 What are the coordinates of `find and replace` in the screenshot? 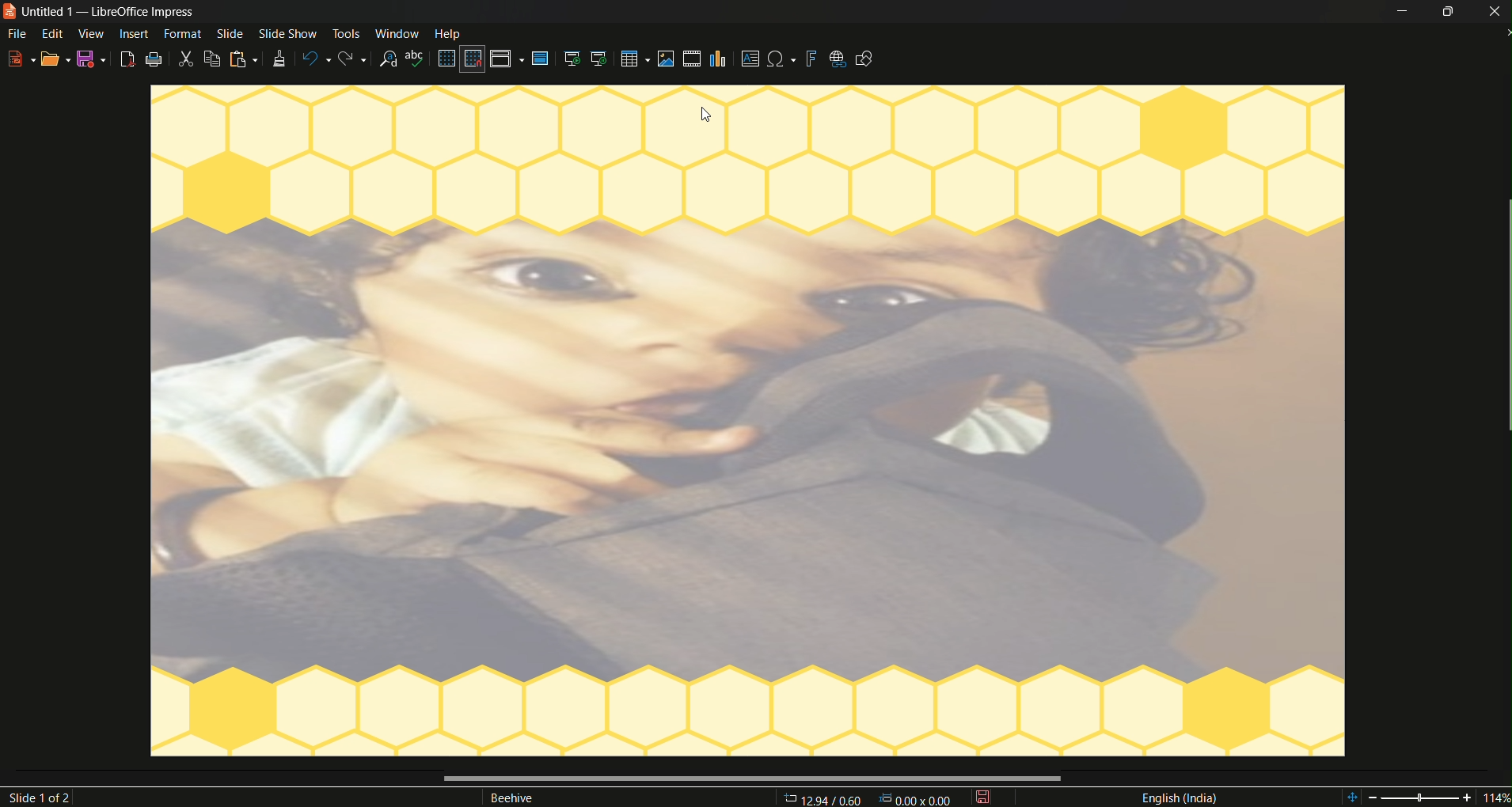 It's located at (389, 59).